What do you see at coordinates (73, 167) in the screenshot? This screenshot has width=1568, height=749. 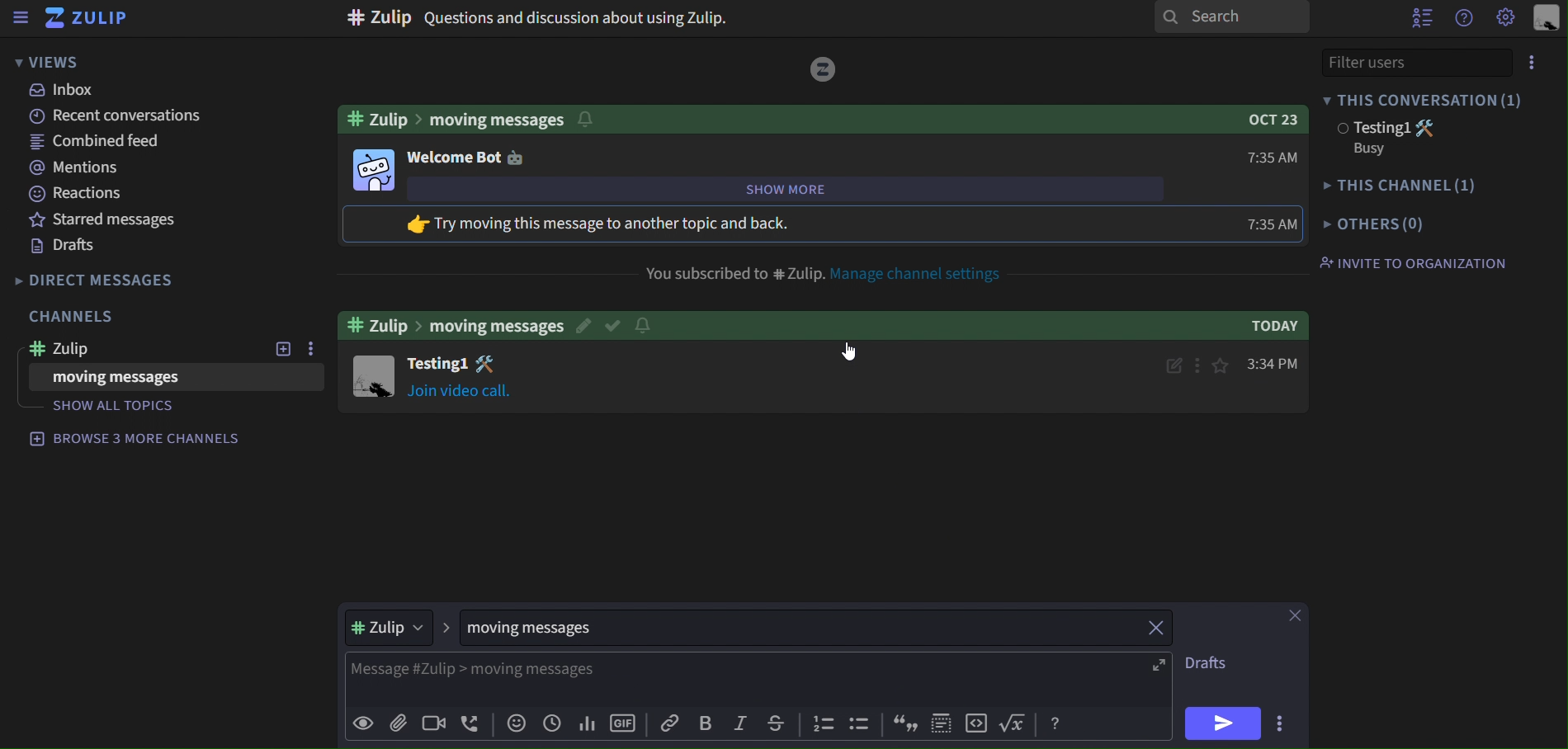 I see `mentions` at bounding box center [73, 167].